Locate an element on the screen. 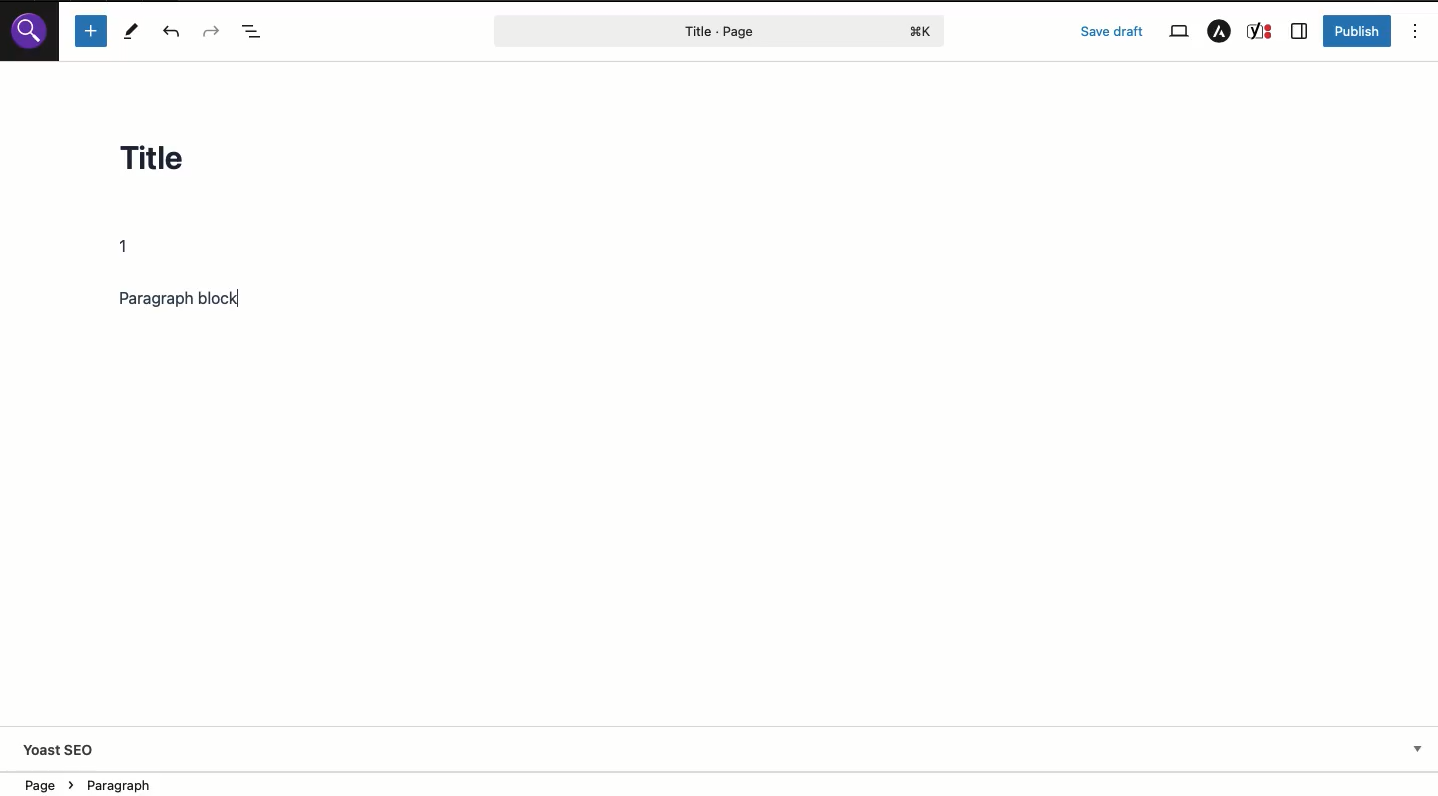 The height and width of the screenshot is (796, 1438). typing cursor is located at coordinates (239, 299).